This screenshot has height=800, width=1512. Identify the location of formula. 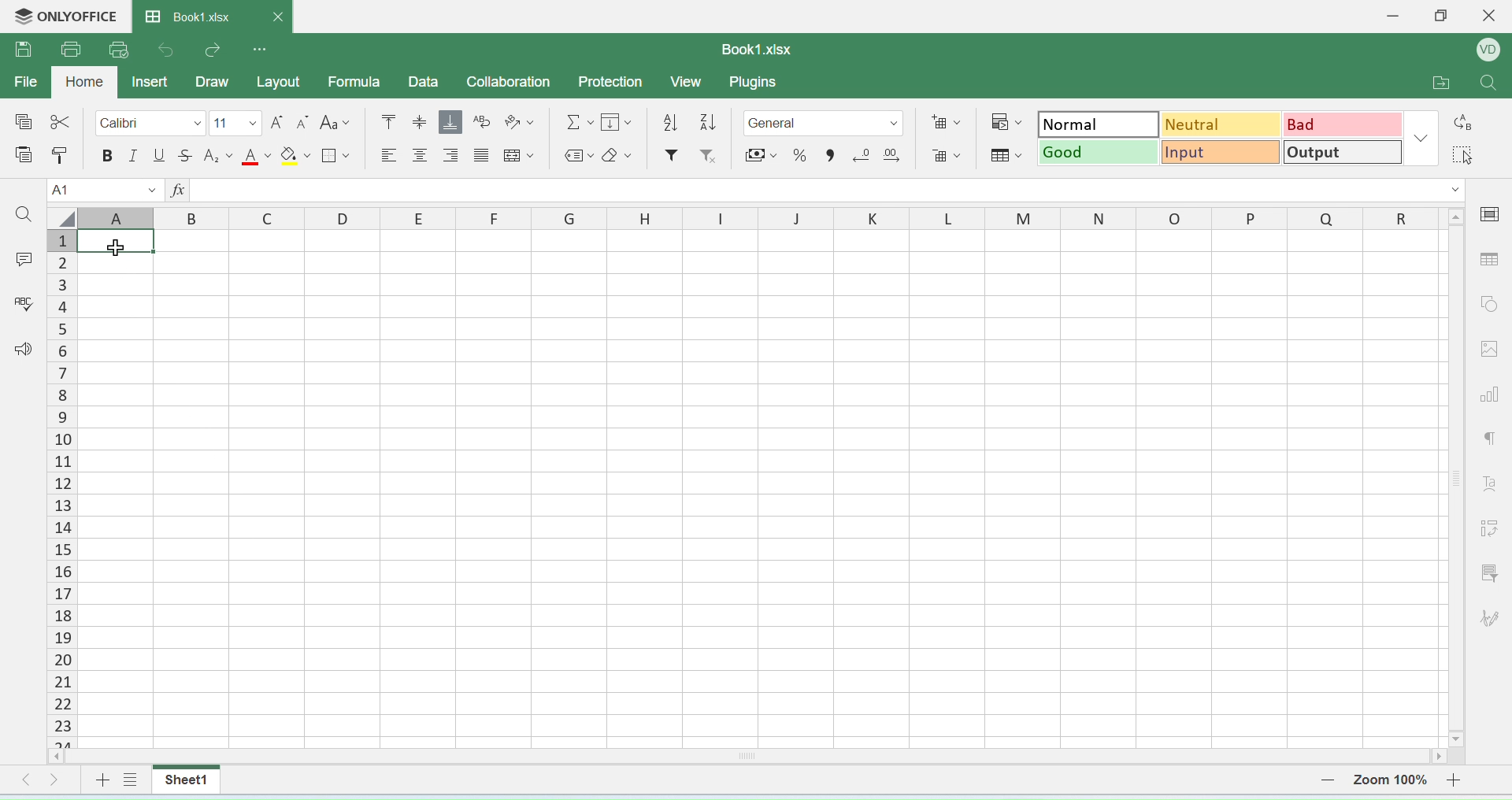
(575, 123).